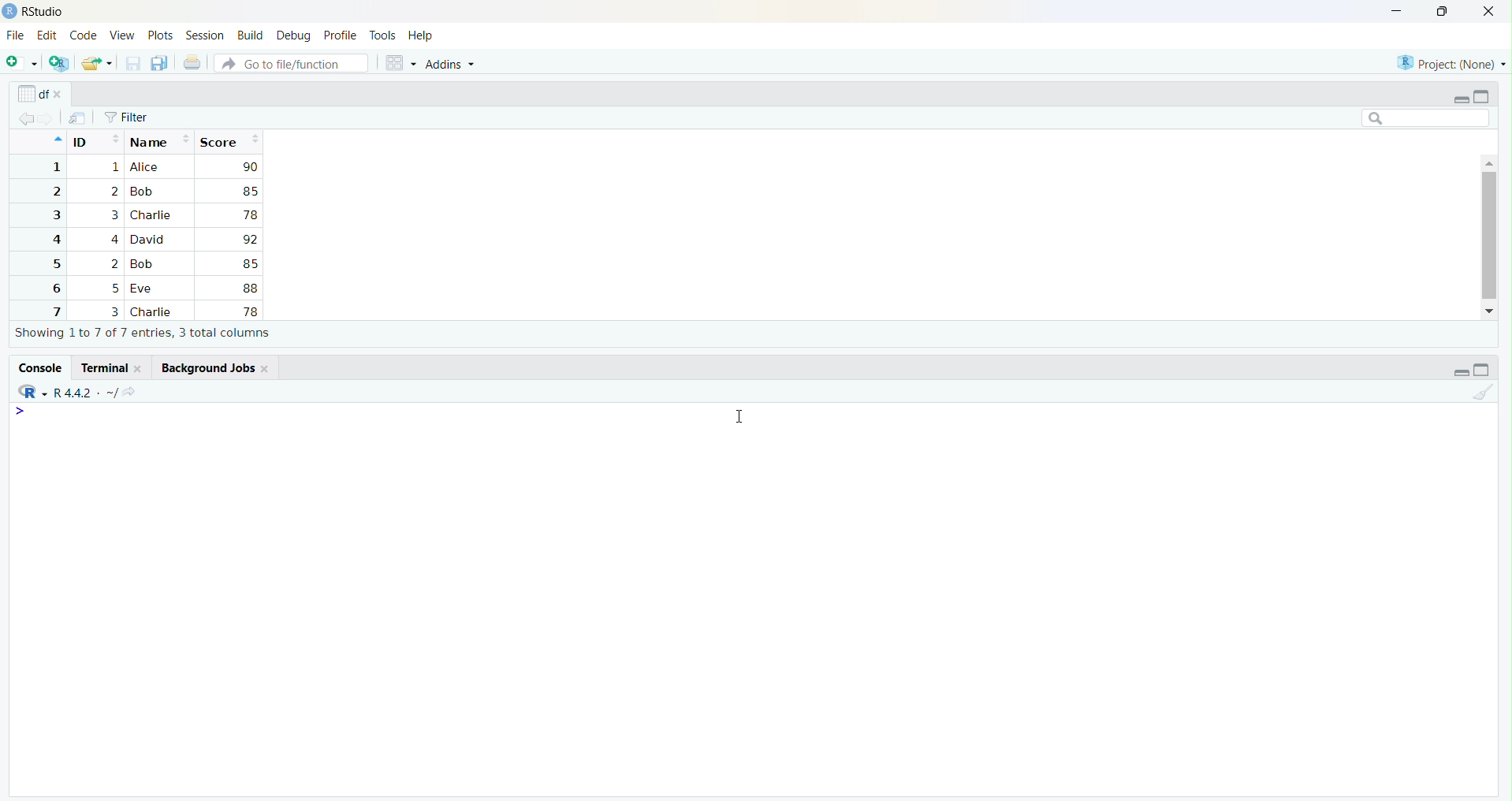  What do you see at coordinates (54, 264) in the screenshot?
I see `5` at bounding box center [54, 264].